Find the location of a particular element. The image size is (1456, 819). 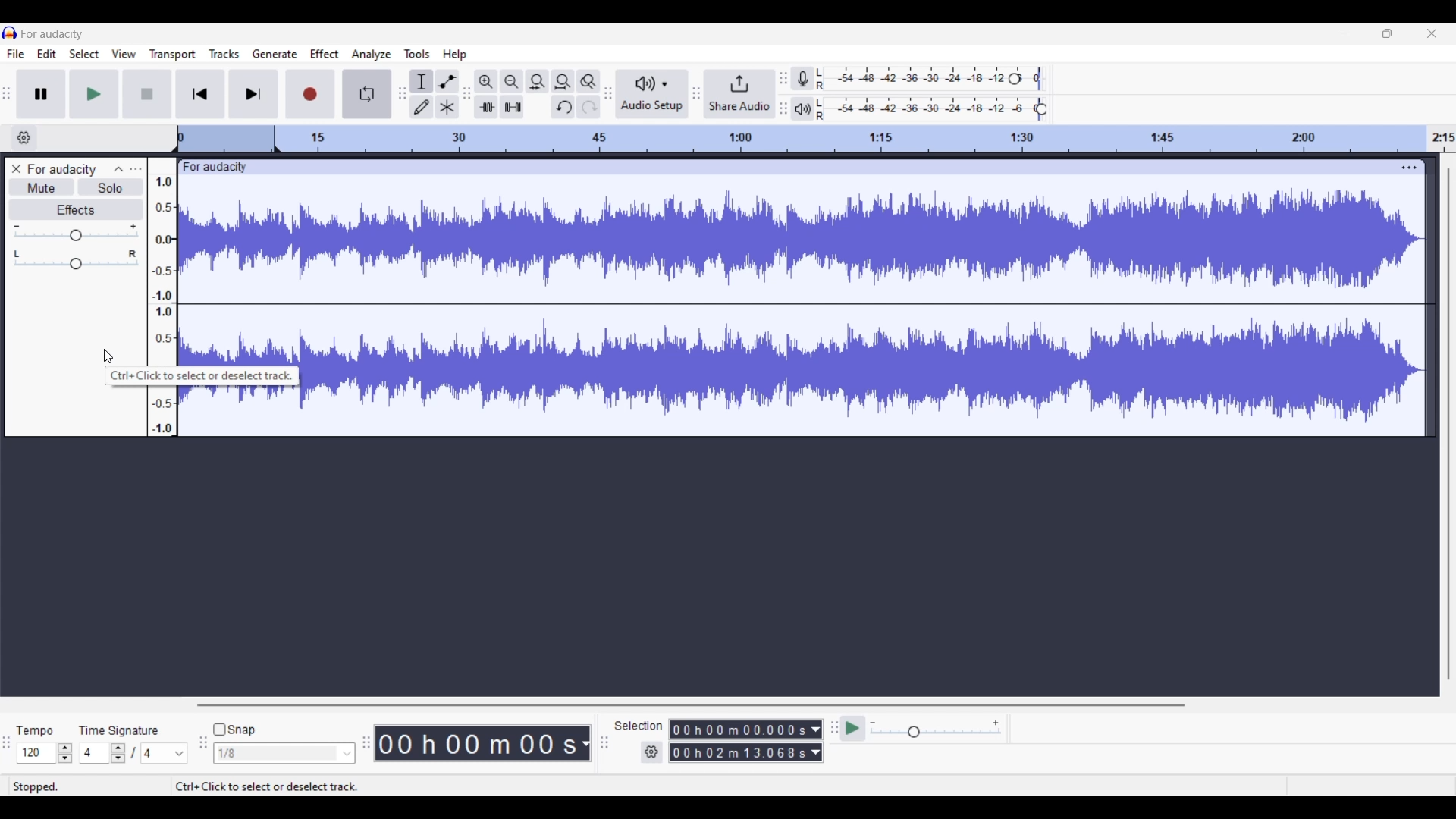

Selection settings is located at coordinates (651, 752).